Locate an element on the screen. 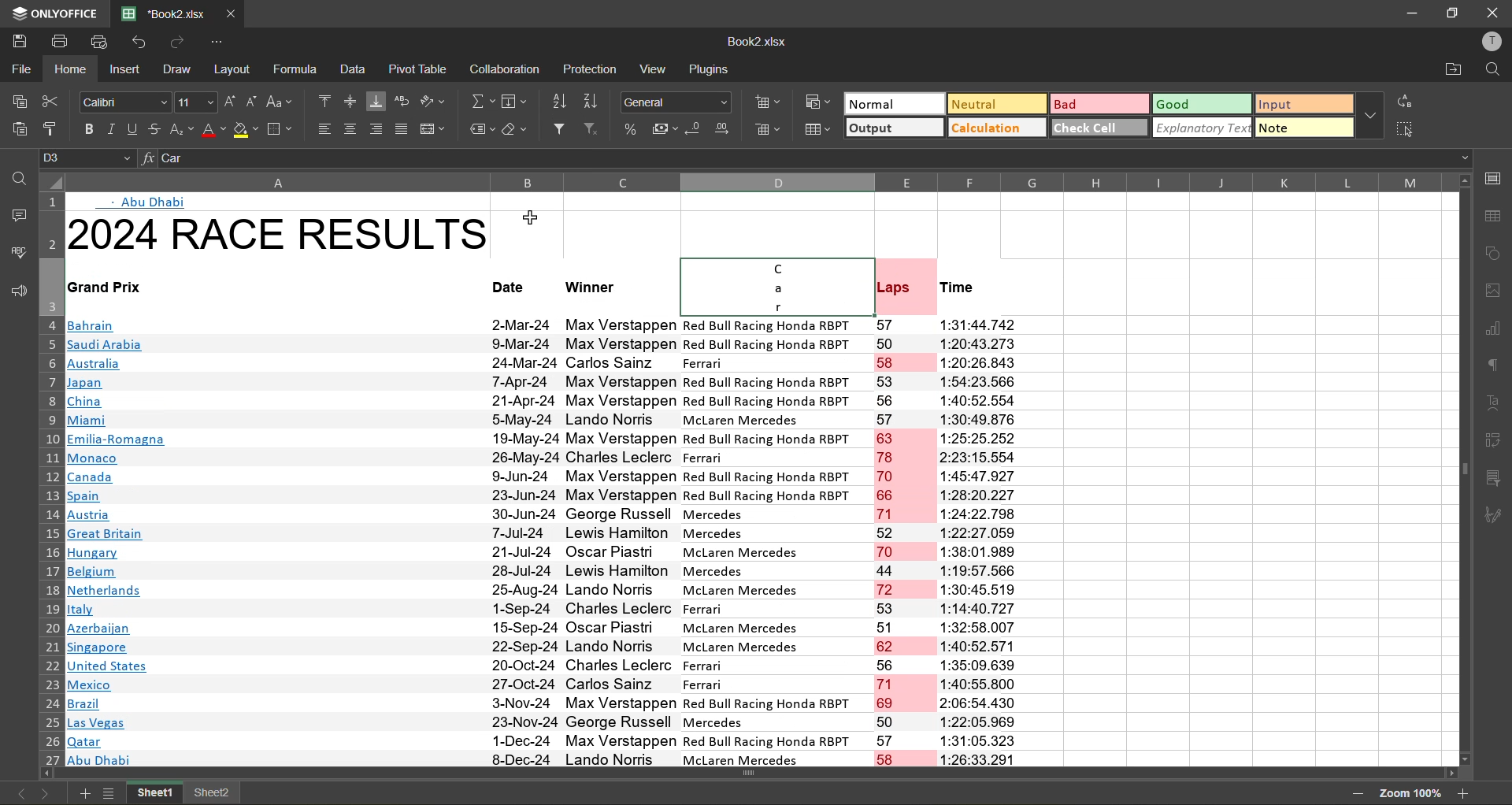 Image resolution: width=1512 pixels, height=805 pixels. fill color is located at coordinates (246, 132).